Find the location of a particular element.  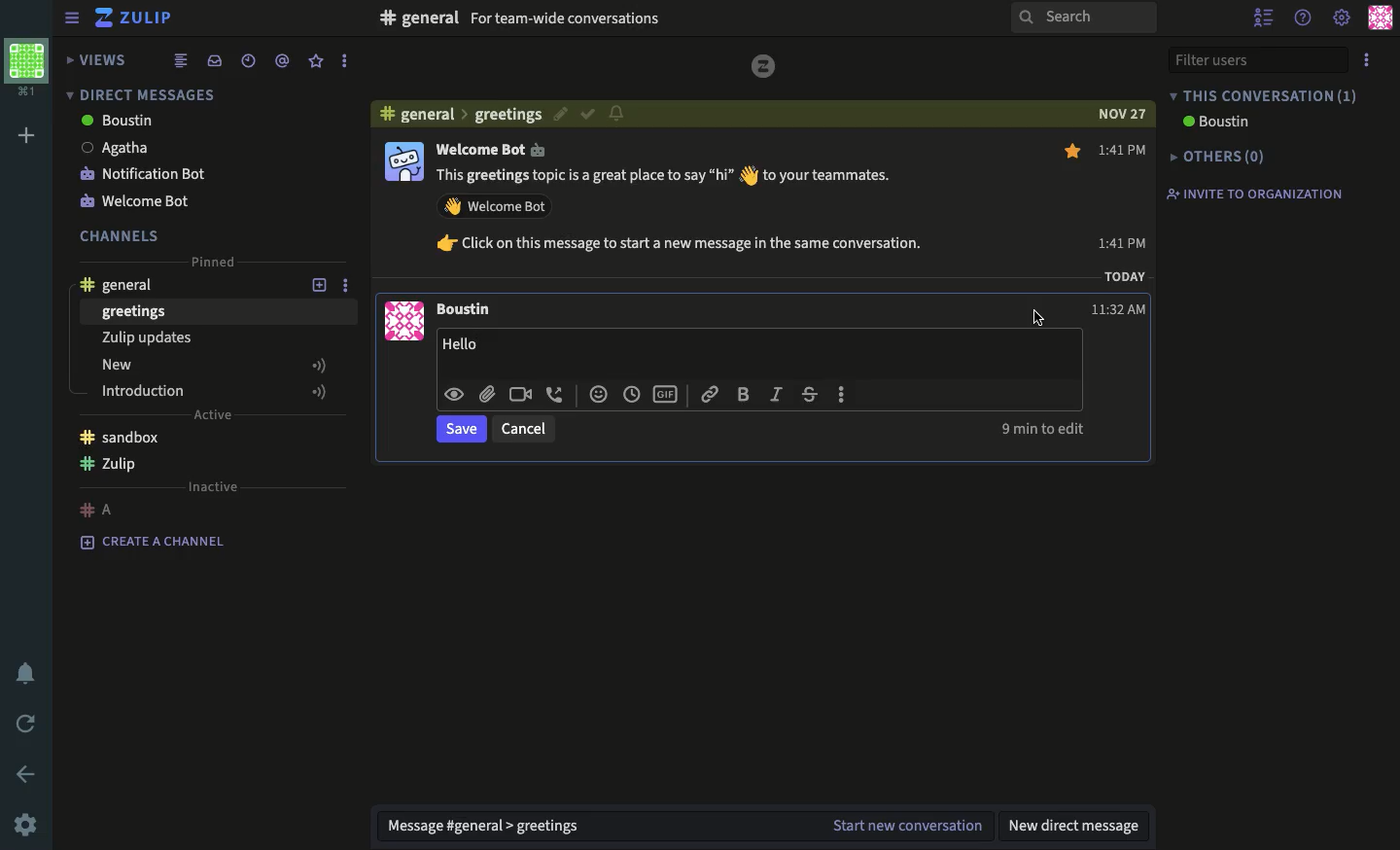

italics is located at coordinates (775, 396).